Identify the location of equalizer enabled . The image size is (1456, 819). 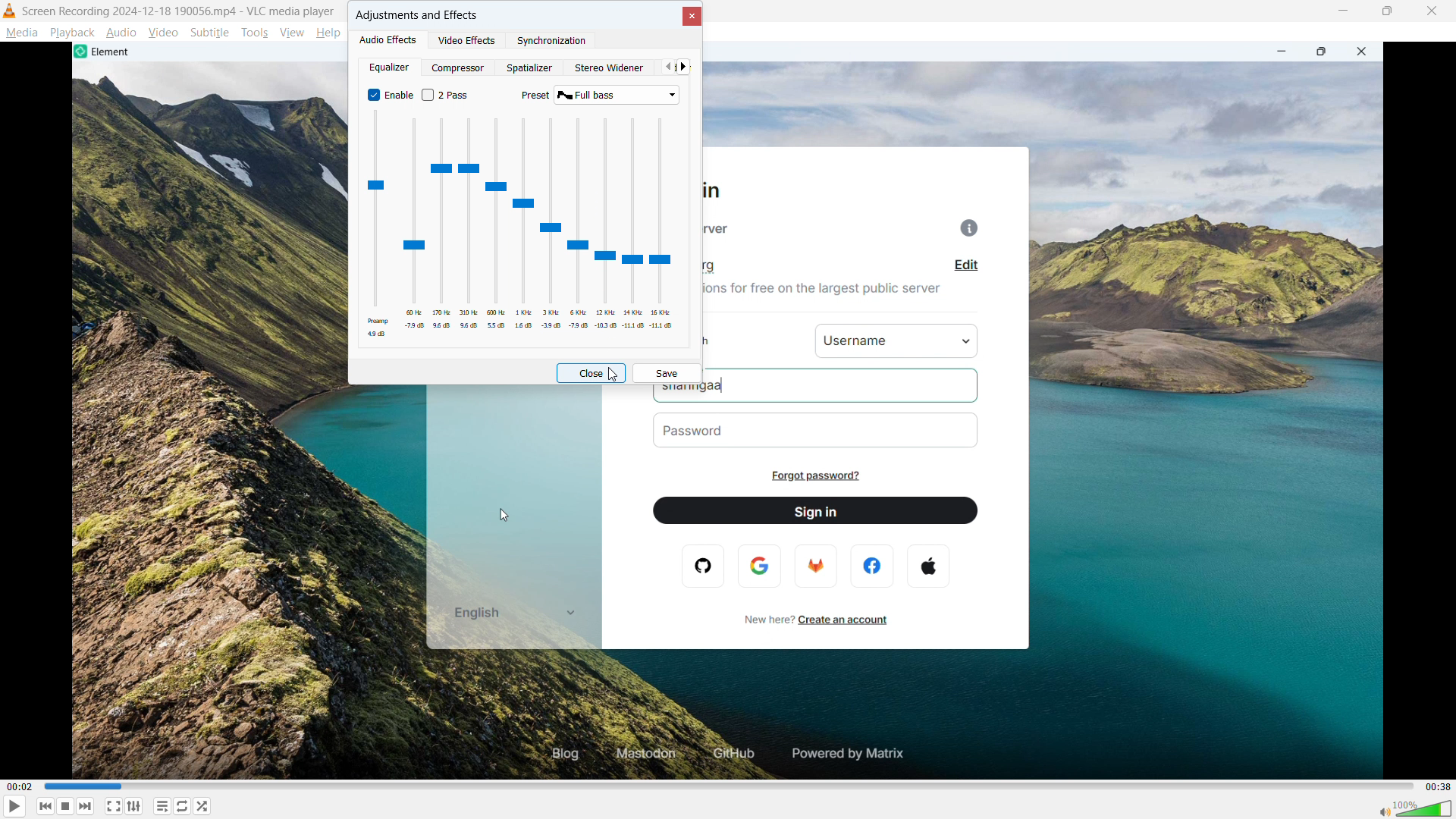
(390, 95).